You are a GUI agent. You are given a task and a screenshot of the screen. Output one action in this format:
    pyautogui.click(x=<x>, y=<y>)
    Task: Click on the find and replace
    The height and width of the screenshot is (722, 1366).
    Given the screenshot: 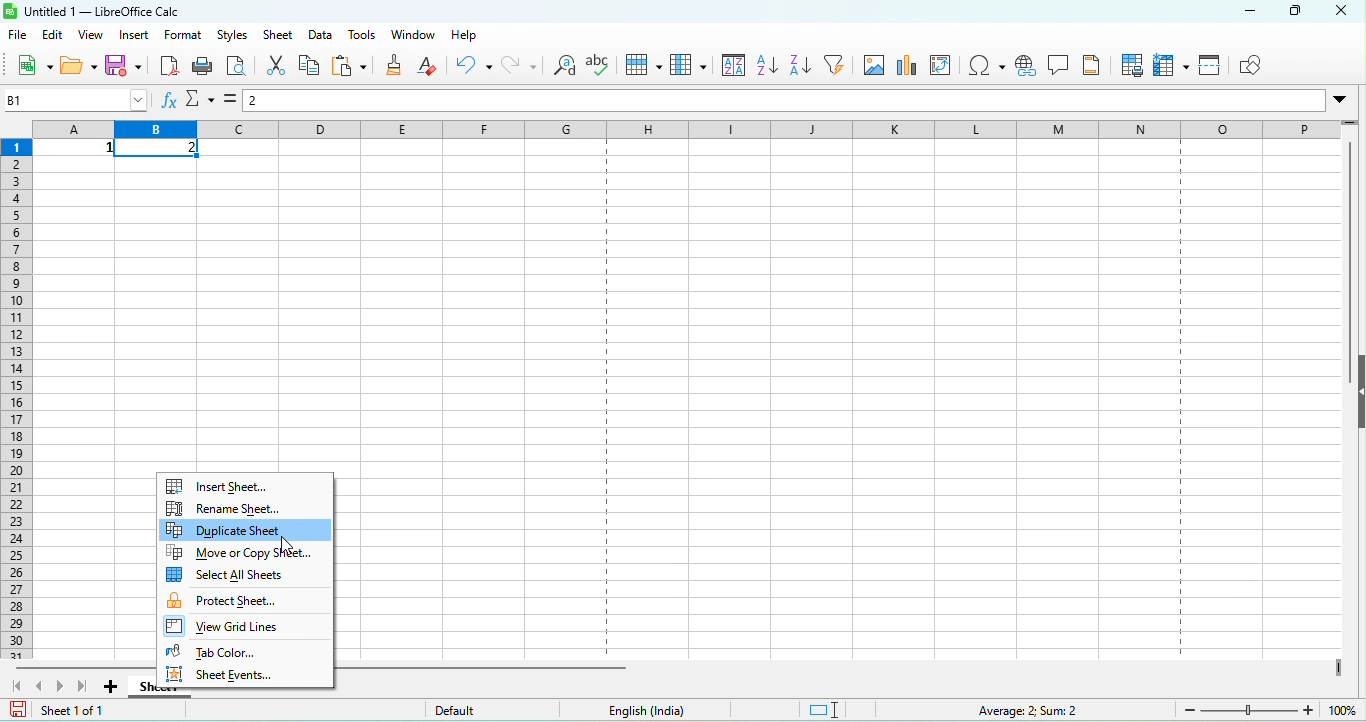 What is the action you would take?
    pyautogui.click(x=563, y=70)
    